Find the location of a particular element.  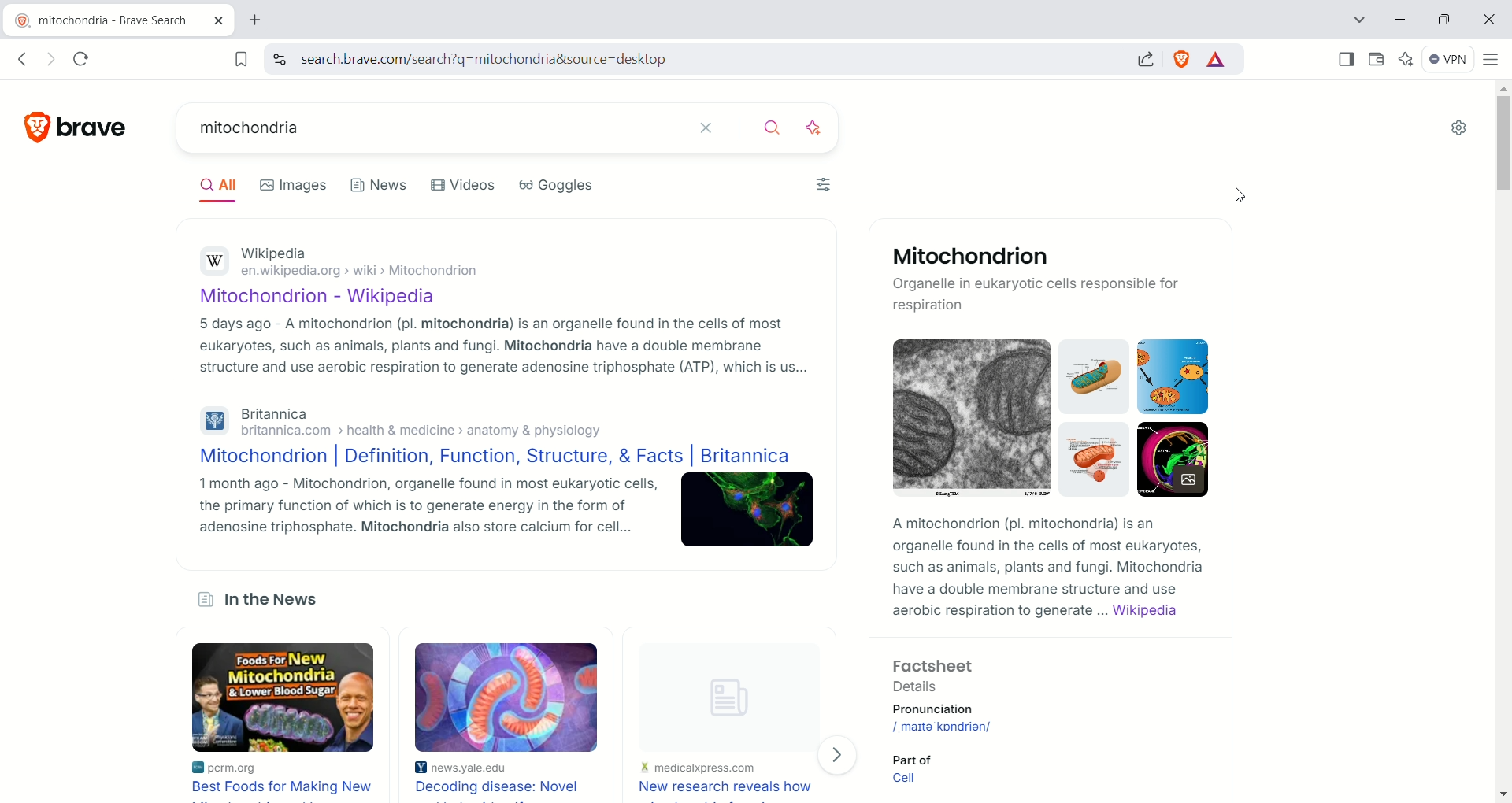

Image is located at coordinates (725, 703).